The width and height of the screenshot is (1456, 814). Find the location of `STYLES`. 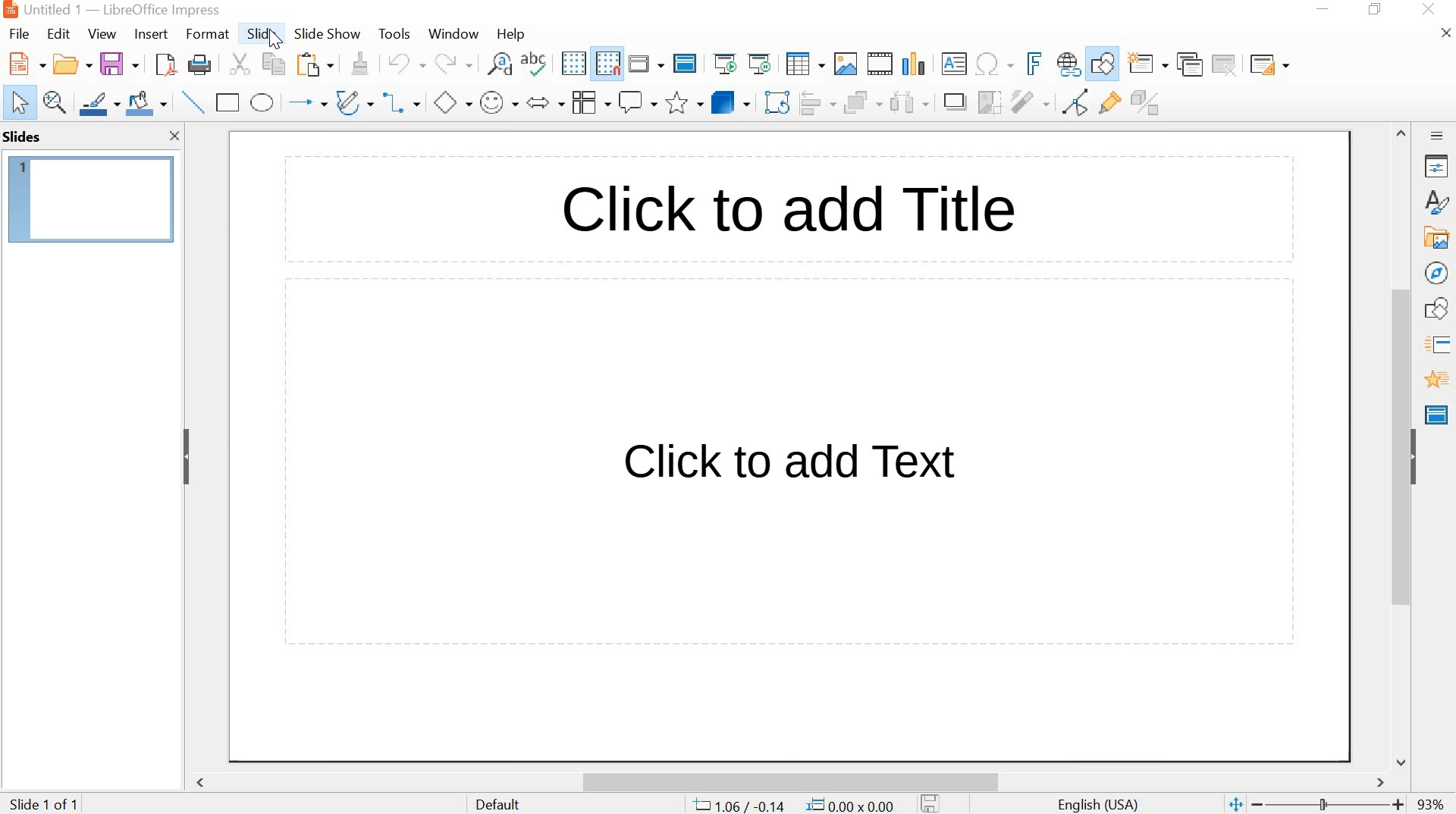

STYLES is located at coordinates (1438, 202).